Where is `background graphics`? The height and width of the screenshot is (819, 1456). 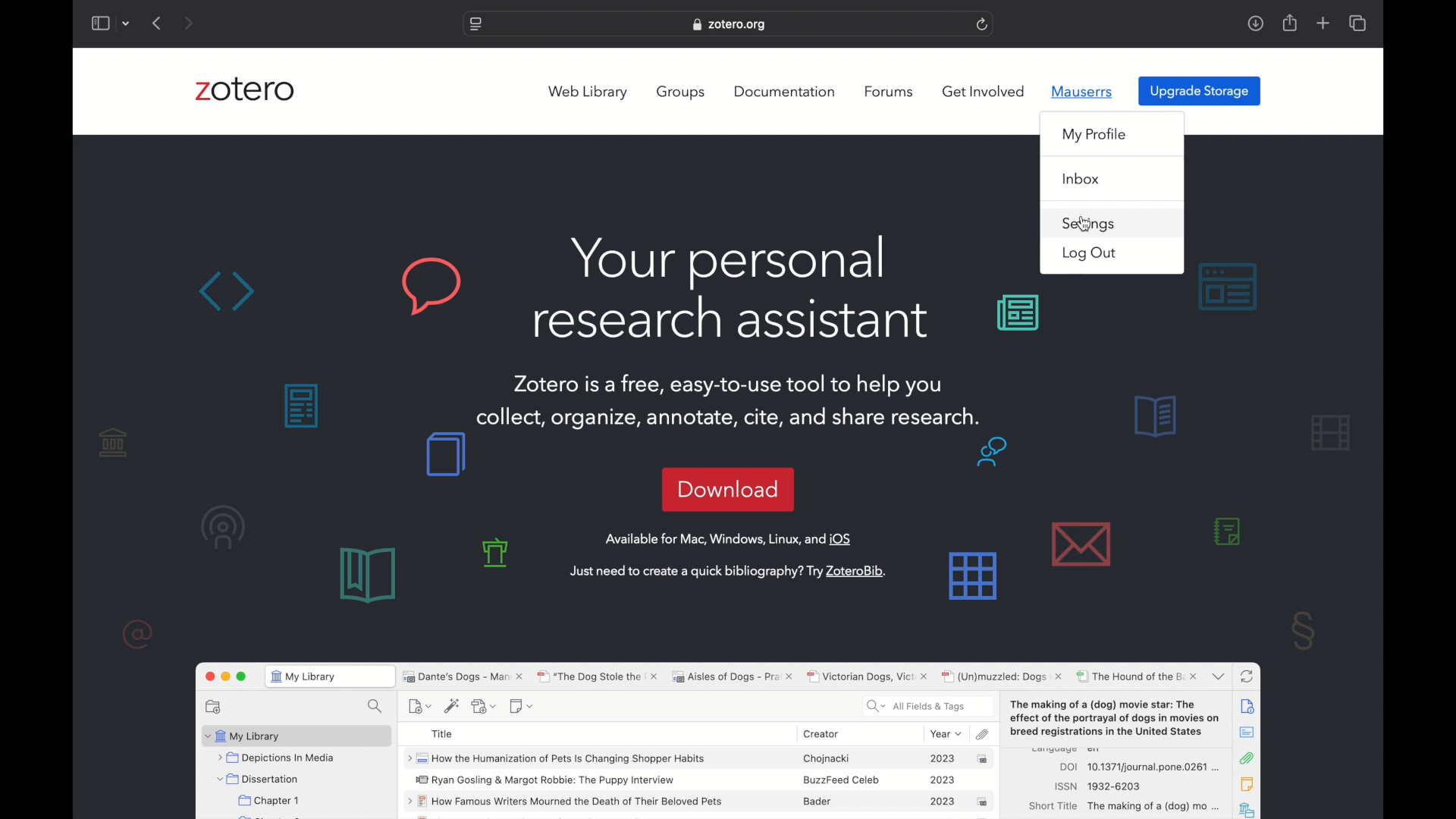
background graphics is located at coordinates (500, 553).